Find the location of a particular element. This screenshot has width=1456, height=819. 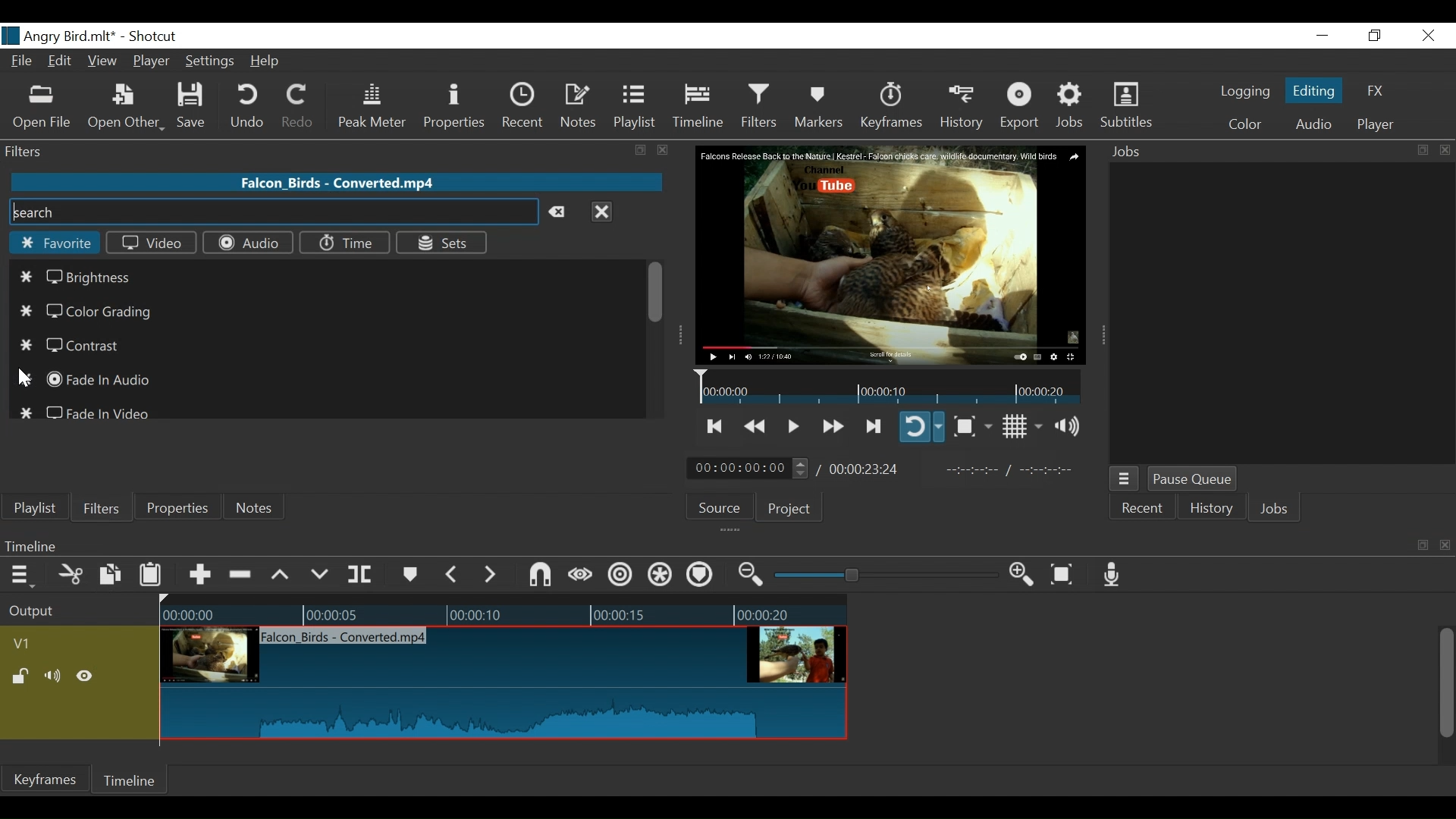

Remove cut is located at coordinates (242, 576).